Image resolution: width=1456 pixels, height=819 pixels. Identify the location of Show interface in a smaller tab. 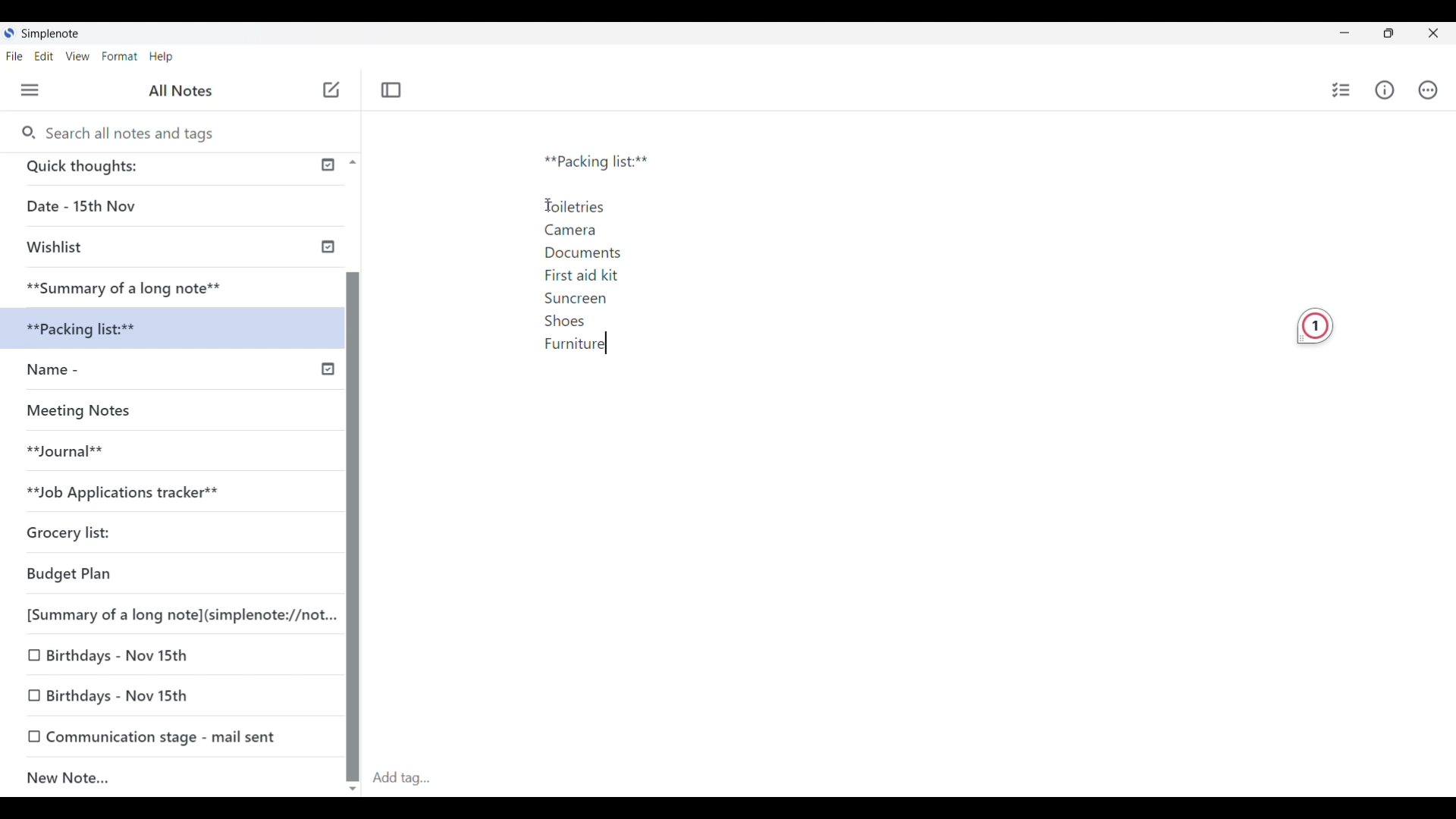
(1389, 33).